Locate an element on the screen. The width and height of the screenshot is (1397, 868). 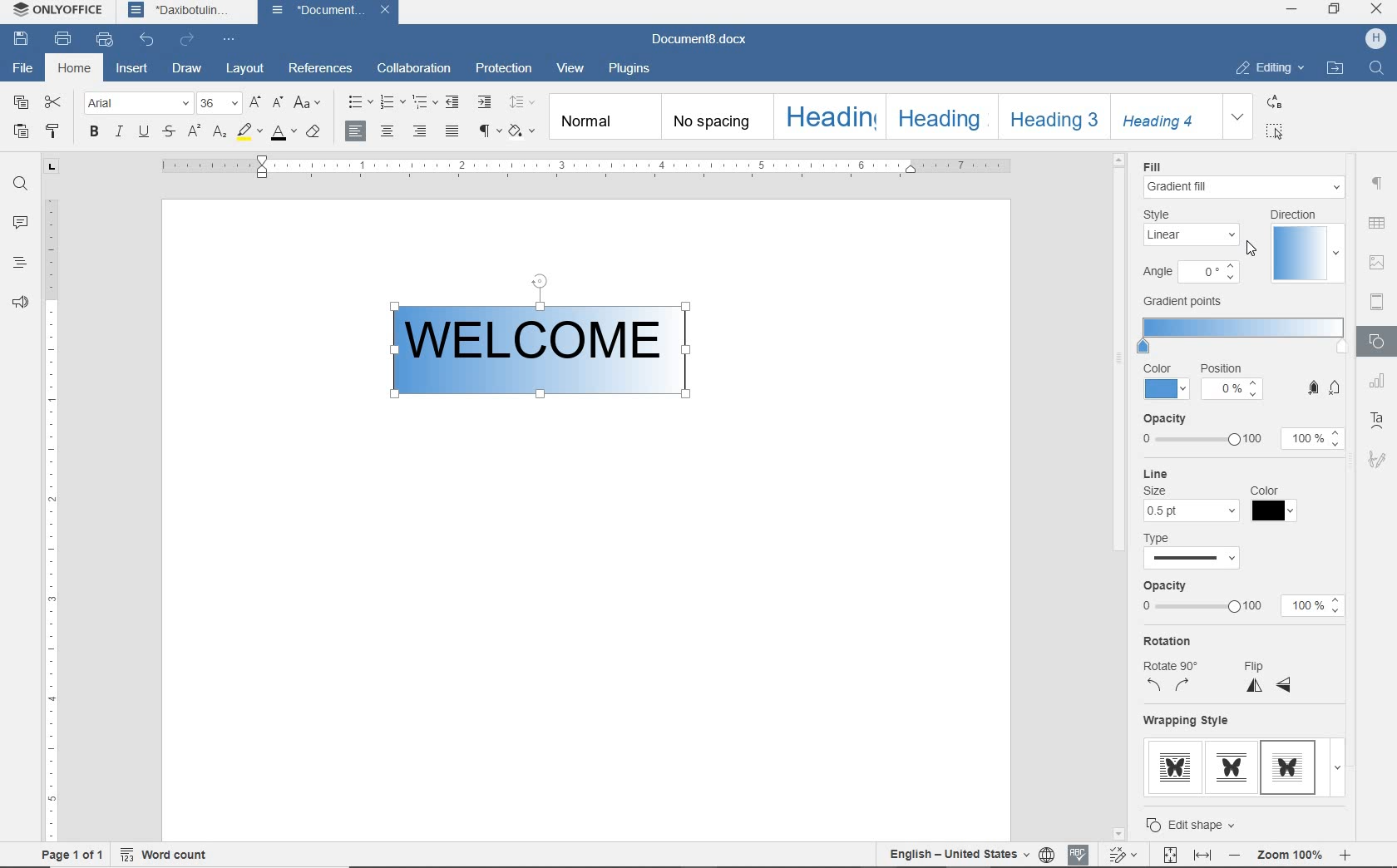
HIGHLIGHT COLOR is located at coordinates (250, 133).